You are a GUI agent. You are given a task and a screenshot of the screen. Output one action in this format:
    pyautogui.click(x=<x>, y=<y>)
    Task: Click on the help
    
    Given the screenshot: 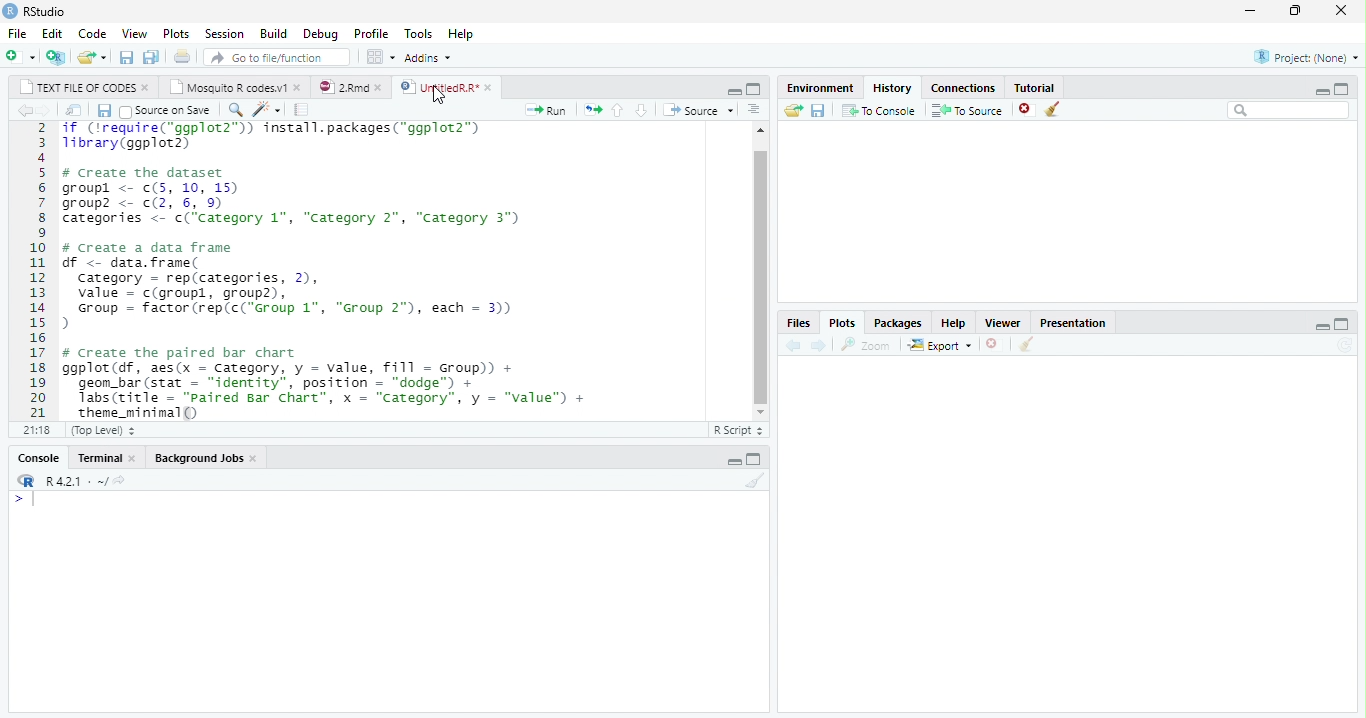 What is the action you would take?
    pyautogui.click(x=954, y=321)
    